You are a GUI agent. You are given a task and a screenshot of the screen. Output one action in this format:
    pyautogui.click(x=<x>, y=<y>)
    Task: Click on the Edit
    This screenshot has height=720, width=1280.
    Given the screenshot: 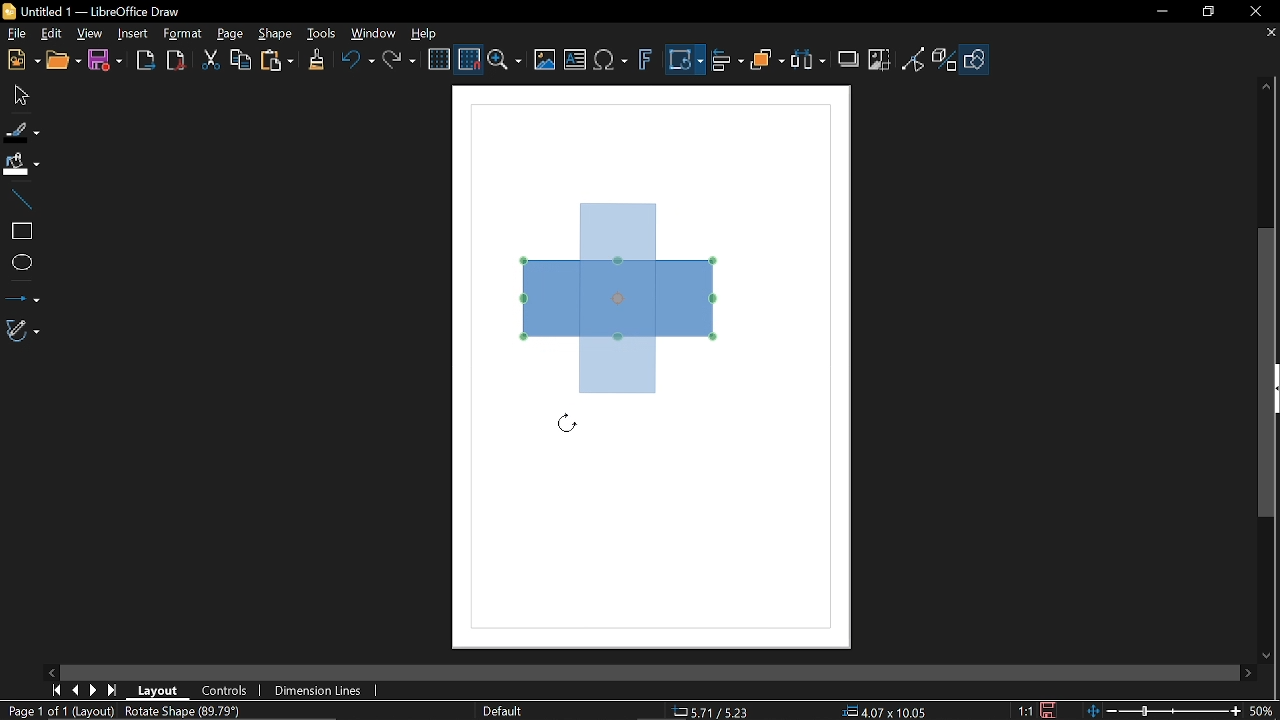 What is the action you would take?
    pyautogui.click(x=50, y=34)
    